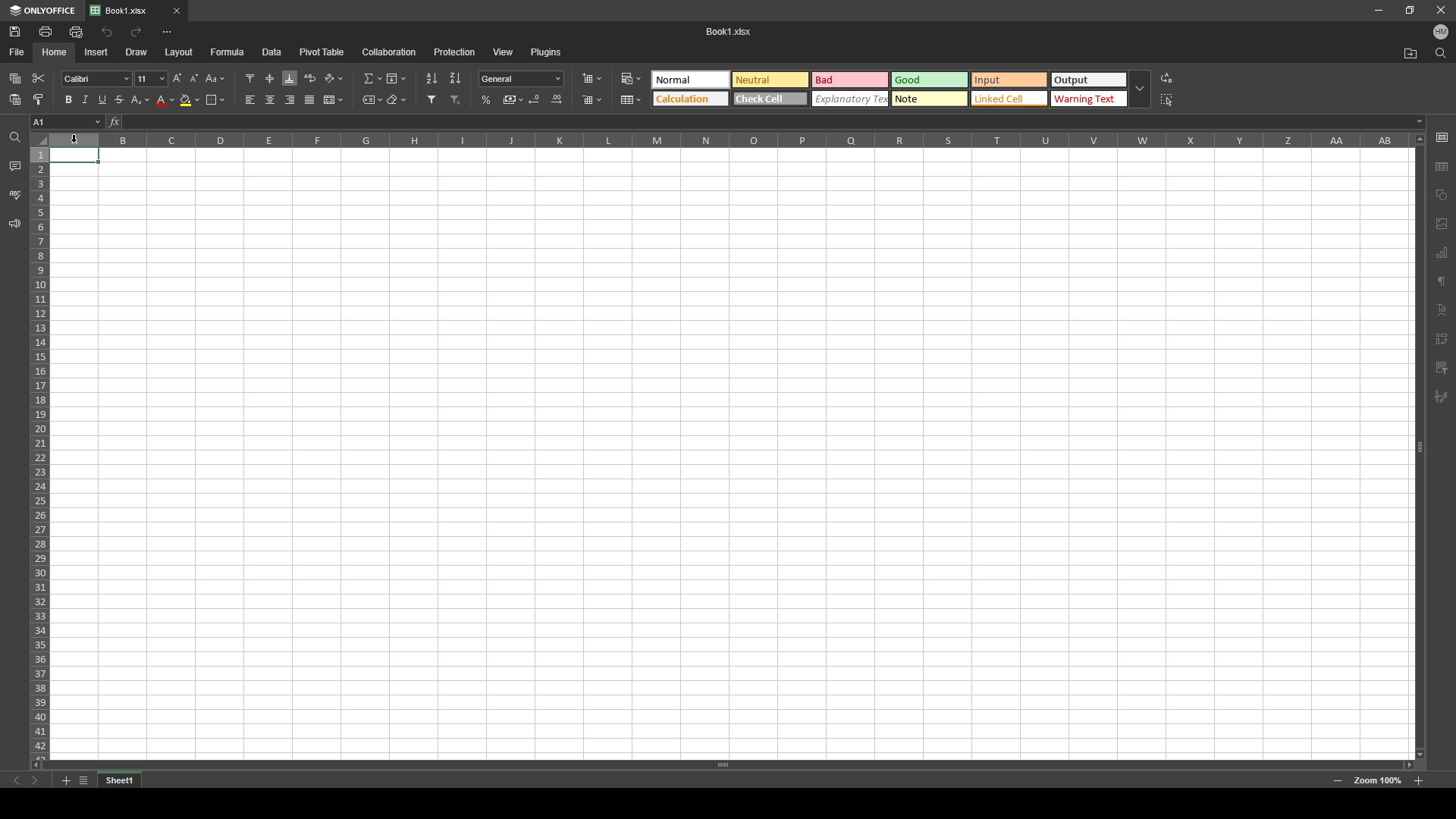 The height and width of the screenshot is (819, 1456). I want to click on align right, so click(290, 100).